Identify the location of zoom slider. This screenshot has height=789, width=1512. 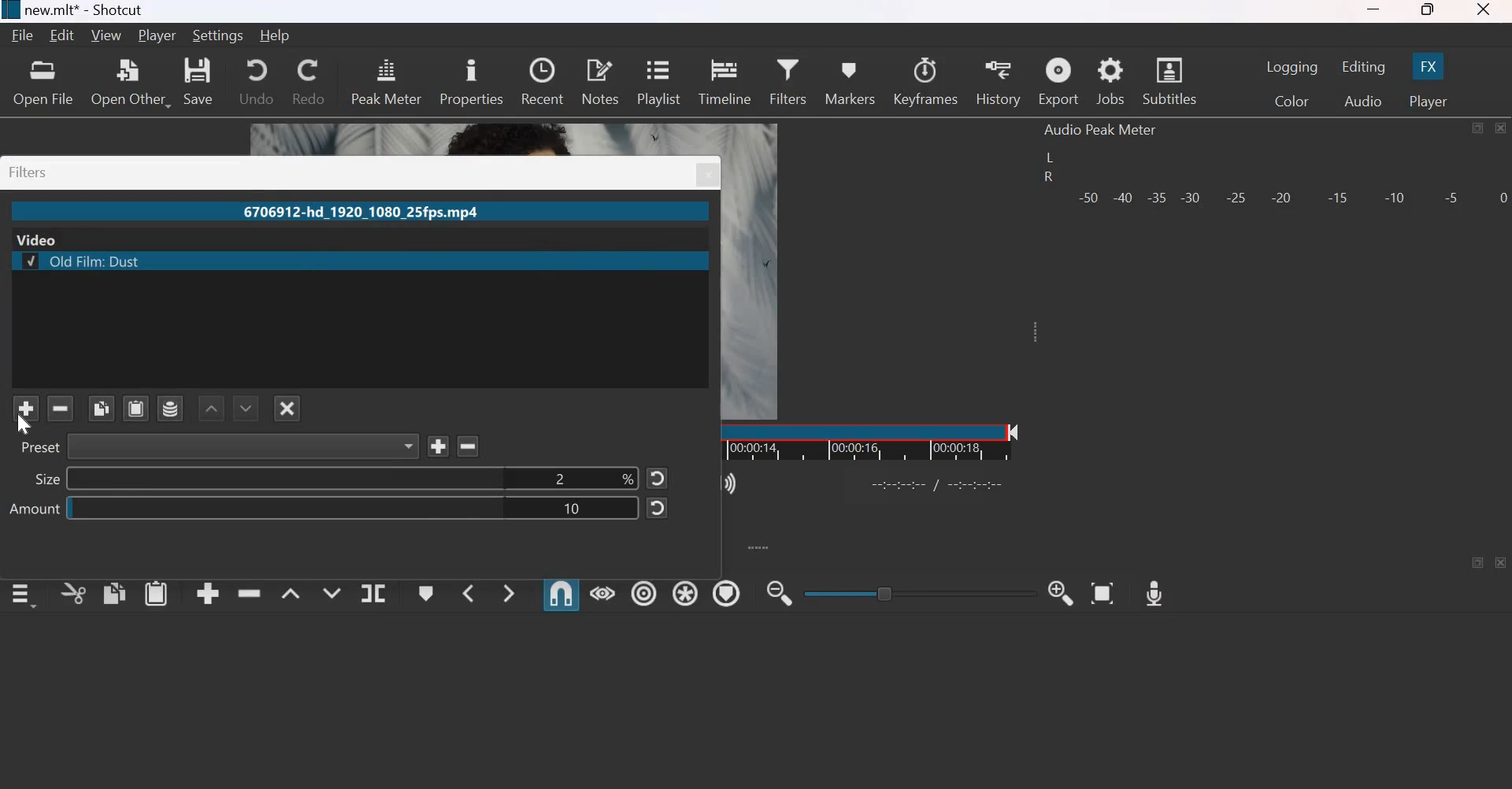
(913, 593).